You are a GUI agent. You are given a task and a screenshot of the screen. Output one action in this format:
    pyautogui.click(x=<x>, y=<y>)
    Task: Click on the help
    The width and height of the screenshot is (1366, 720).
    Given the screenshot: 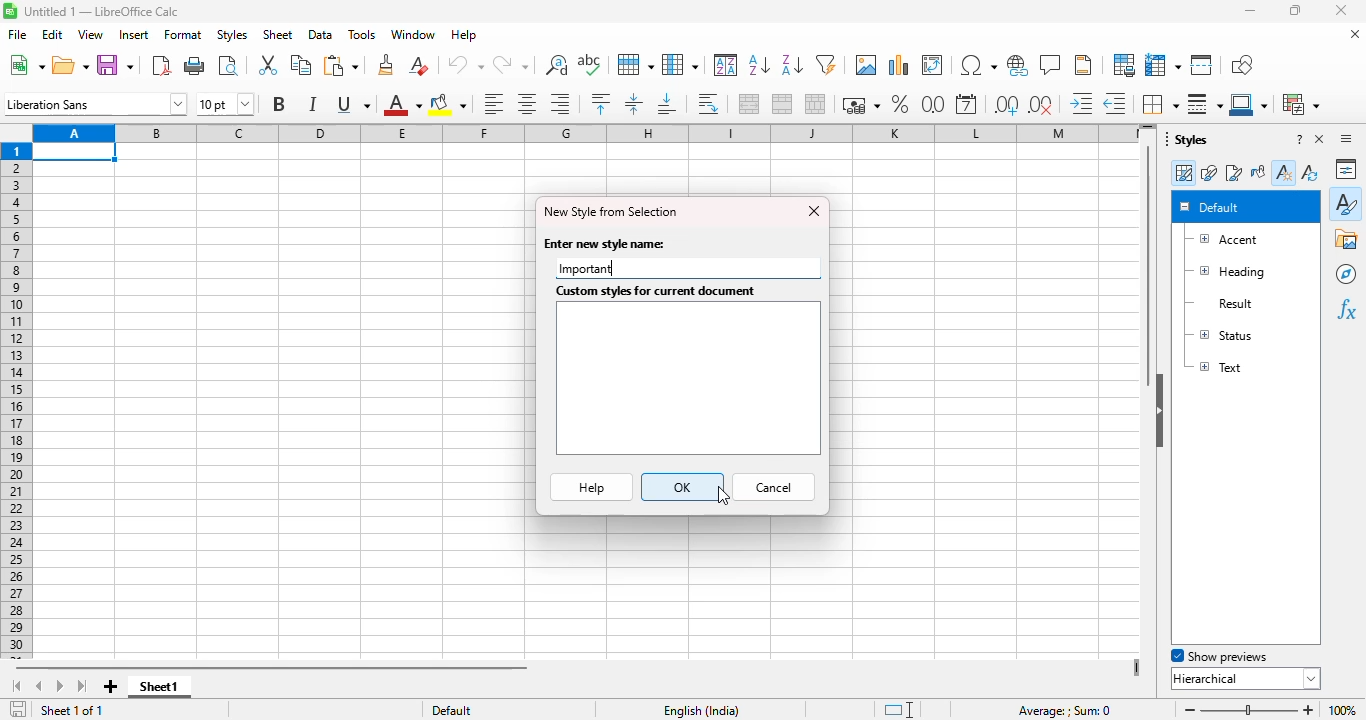 What is the action you would take?
    pyautogui.click(x=464, y=35)
    